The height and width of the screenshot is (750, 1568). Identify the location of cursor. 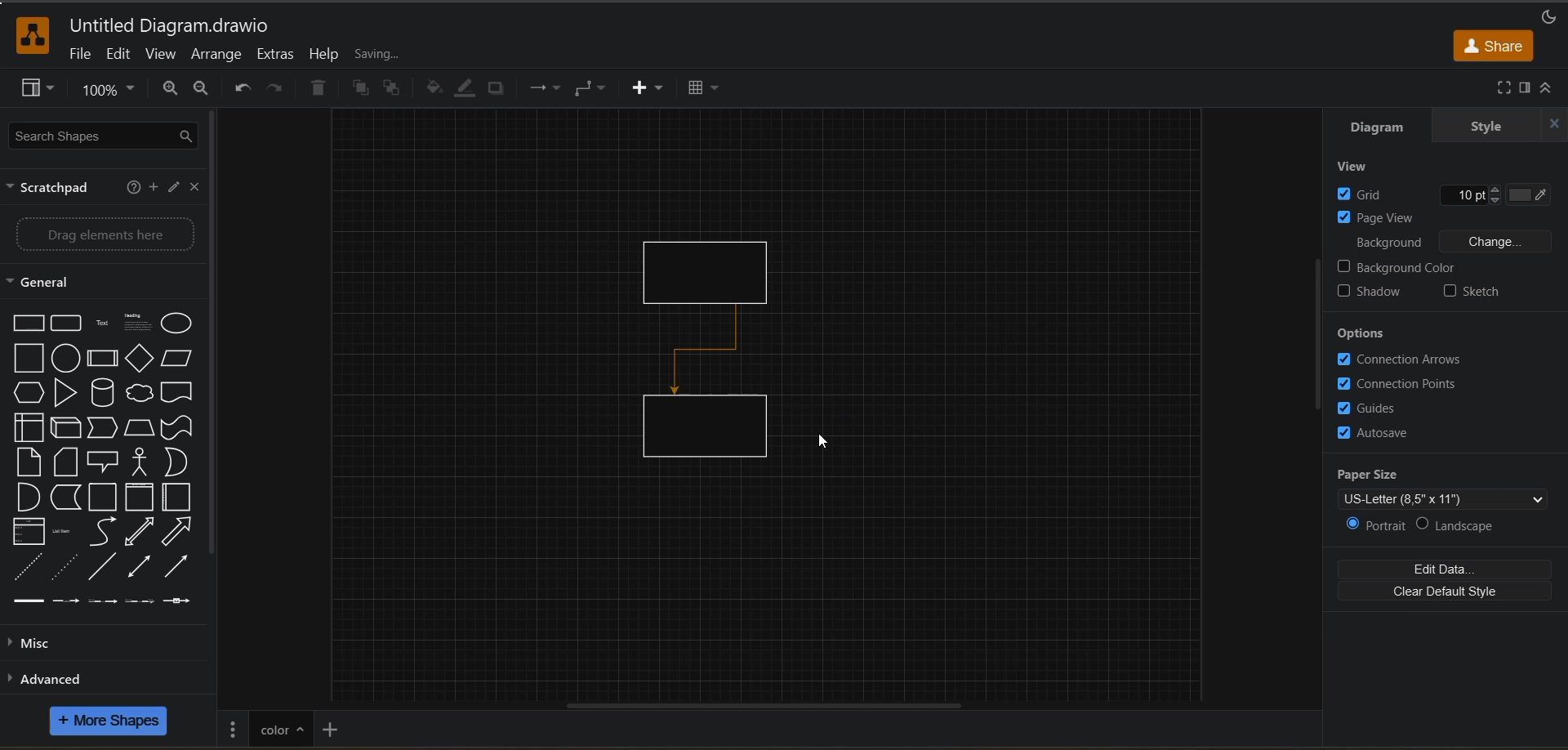
(828, 443).